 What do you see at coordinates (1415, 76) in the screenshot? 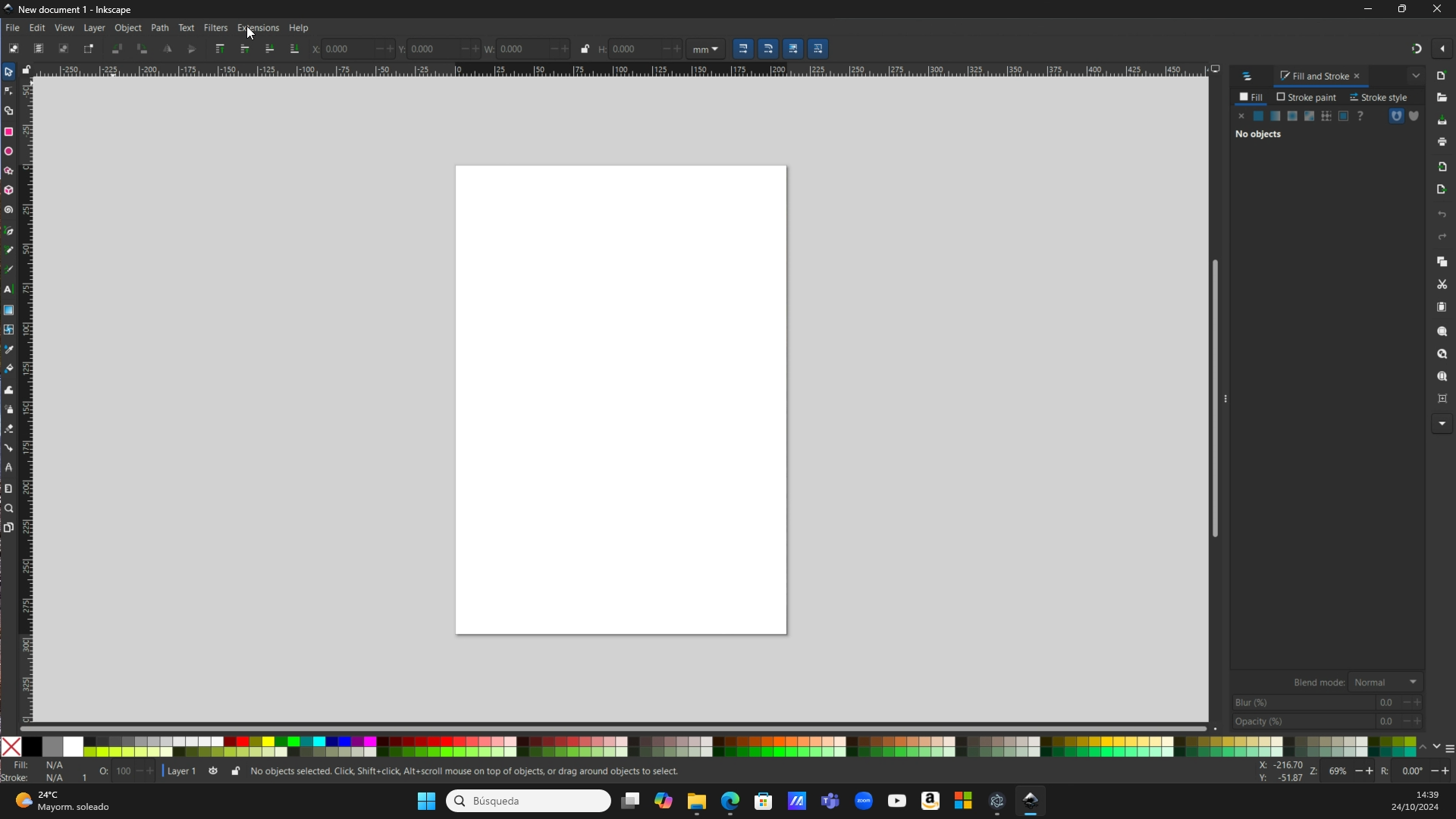
I see `Dropdown` at bounding box center [1415, 76].